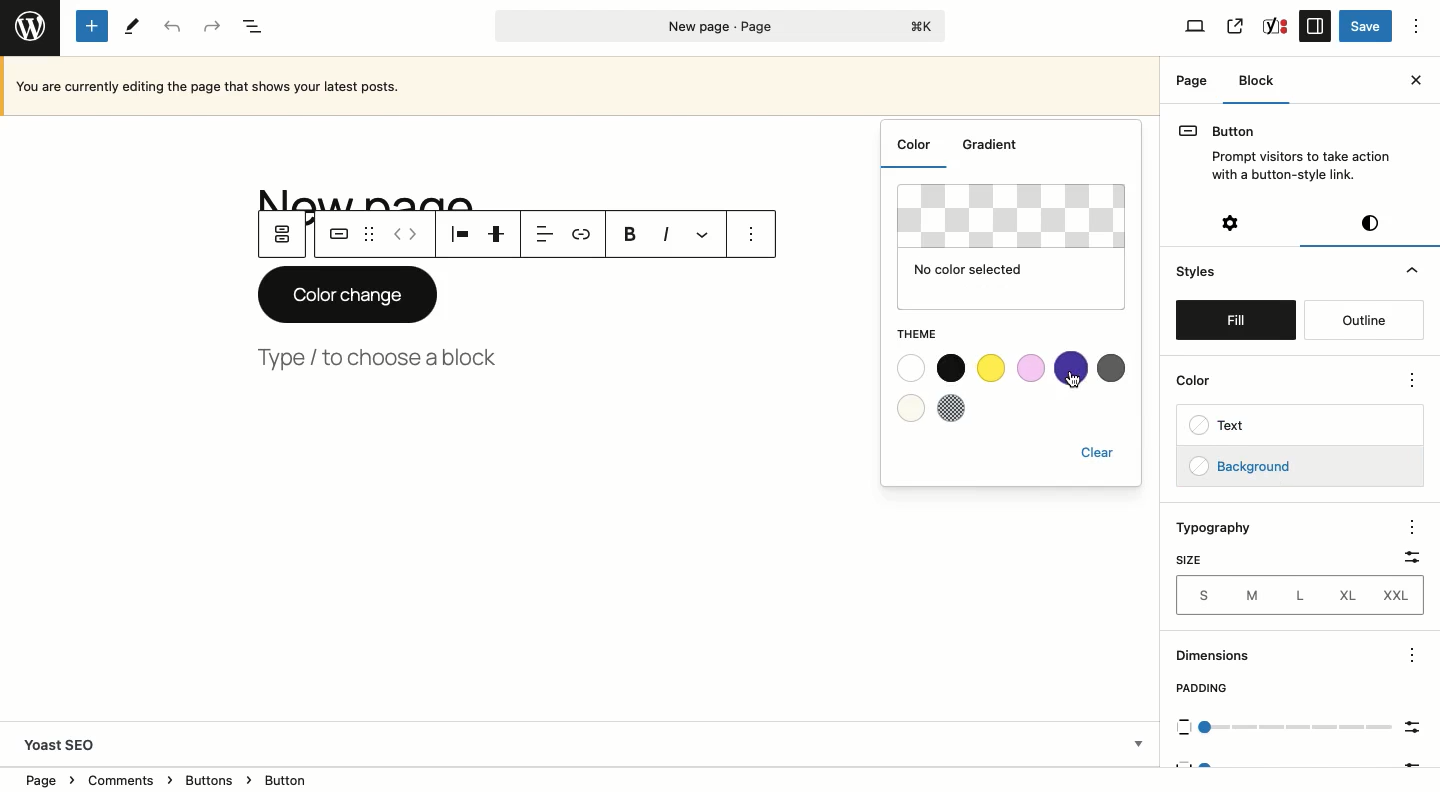 Image resolution: width=1440 pixels, height=792 pixels. What do you see at coordinates (1202, 272) in the screenshot?
I see `Styles` at bounding box center [1202, 272].